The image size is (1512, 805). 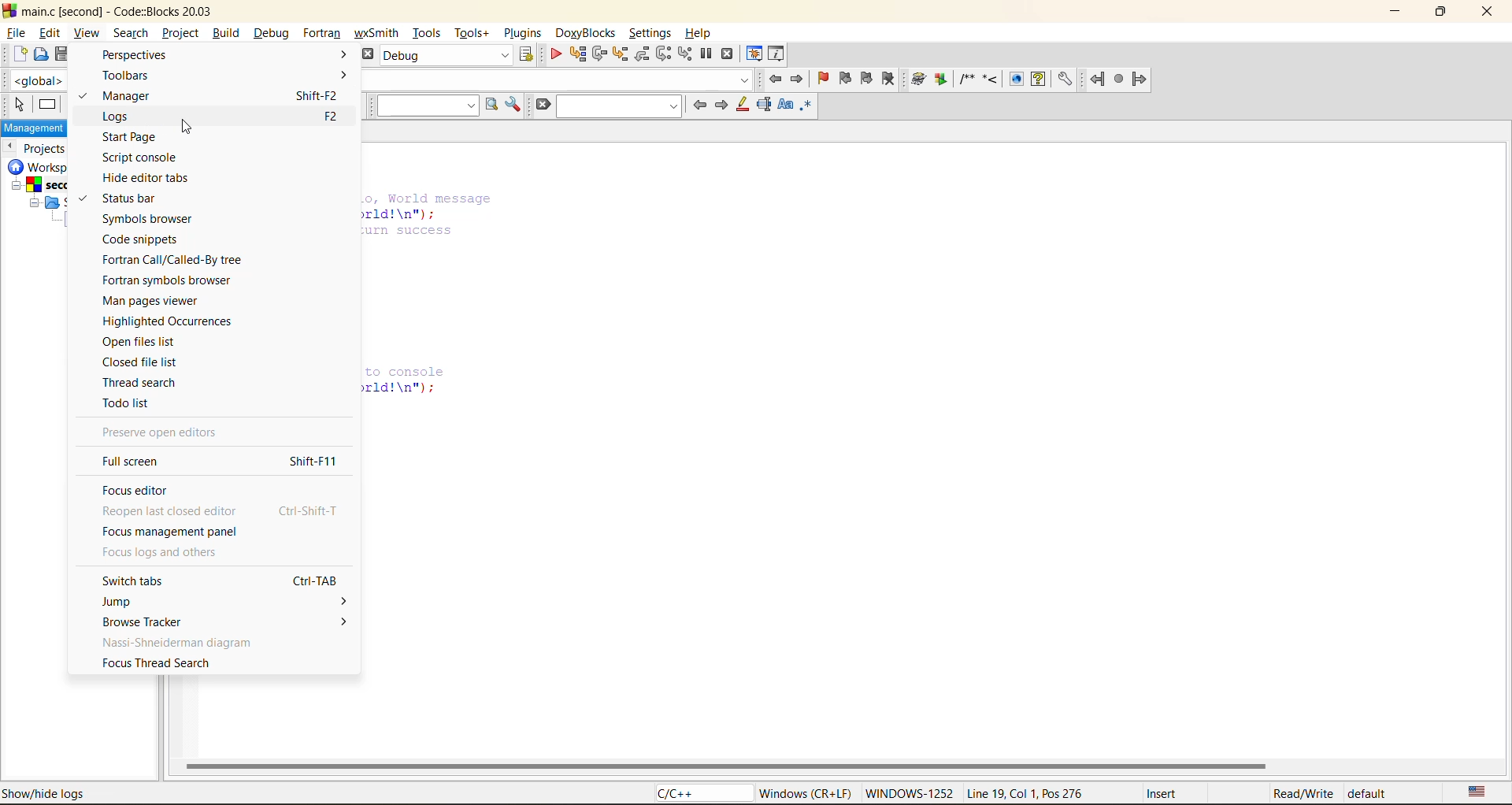 What do you see at coordinates (702, 29) in the screenshot?
I see `help` at bounding box center [702, 29].